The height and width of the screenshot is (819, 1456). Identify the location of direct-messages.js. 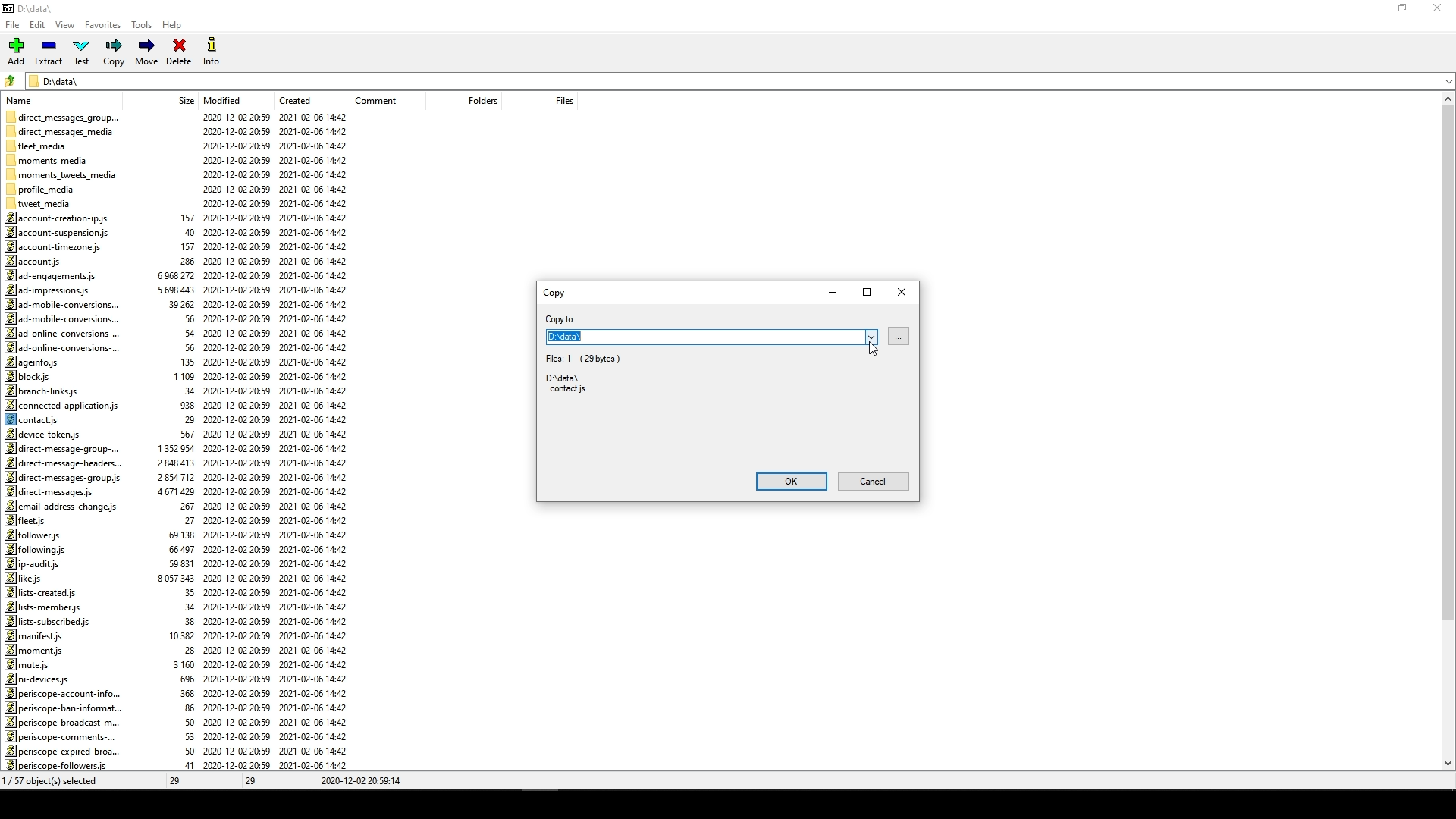
(52, 492).